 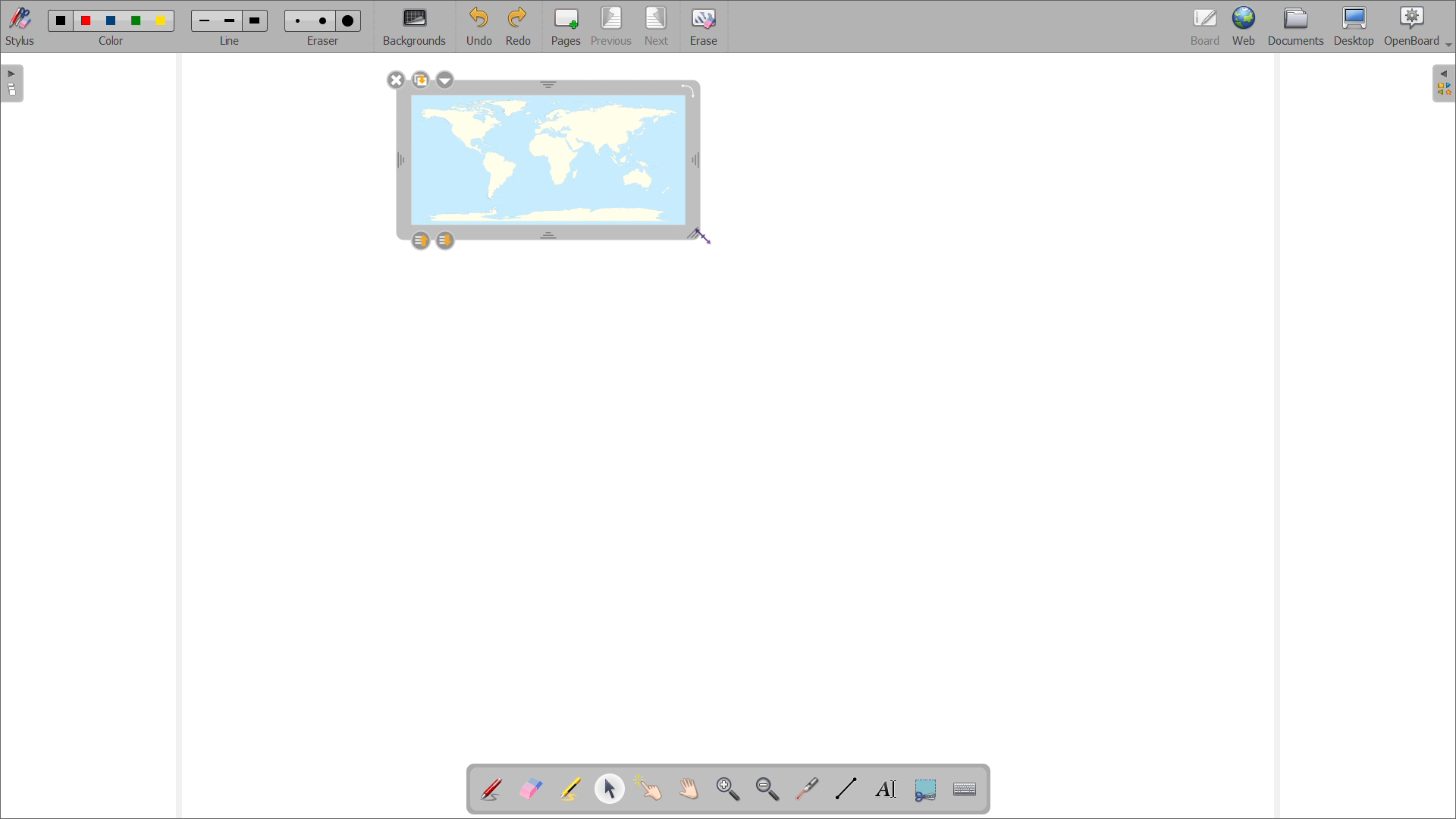 I want to click on color, so click(x=114, y=41).